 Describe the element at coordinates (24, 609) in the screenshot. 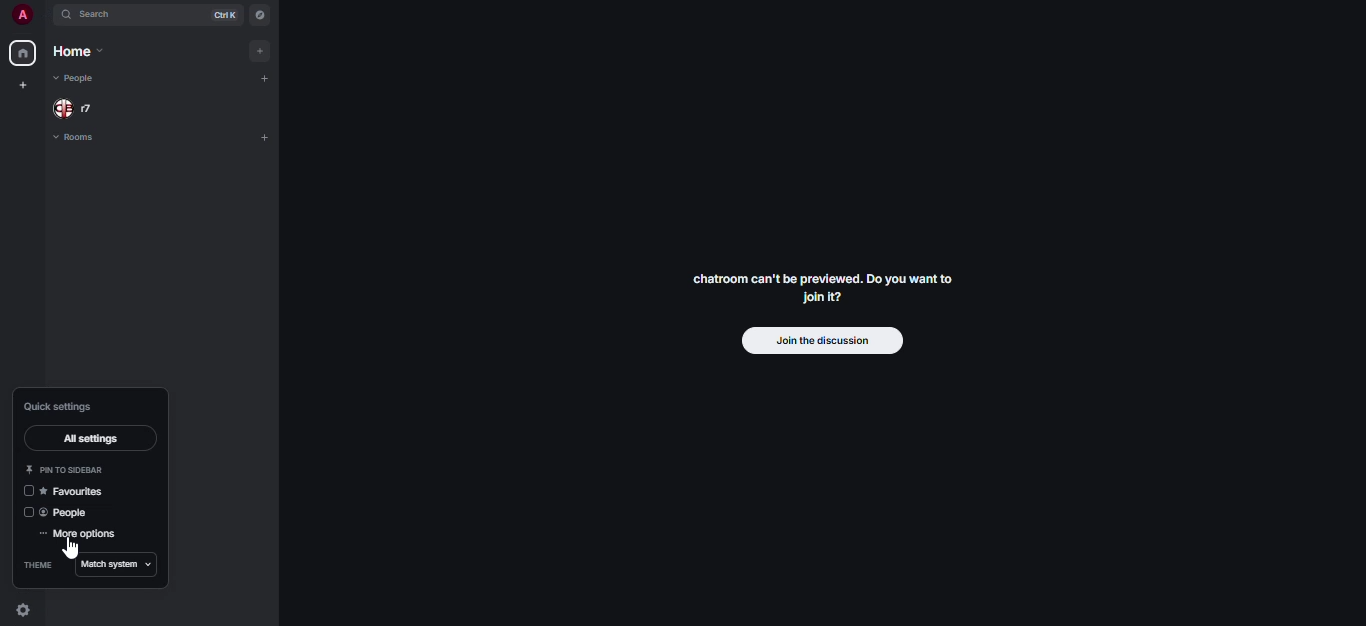

I see `quick settings` at that location.